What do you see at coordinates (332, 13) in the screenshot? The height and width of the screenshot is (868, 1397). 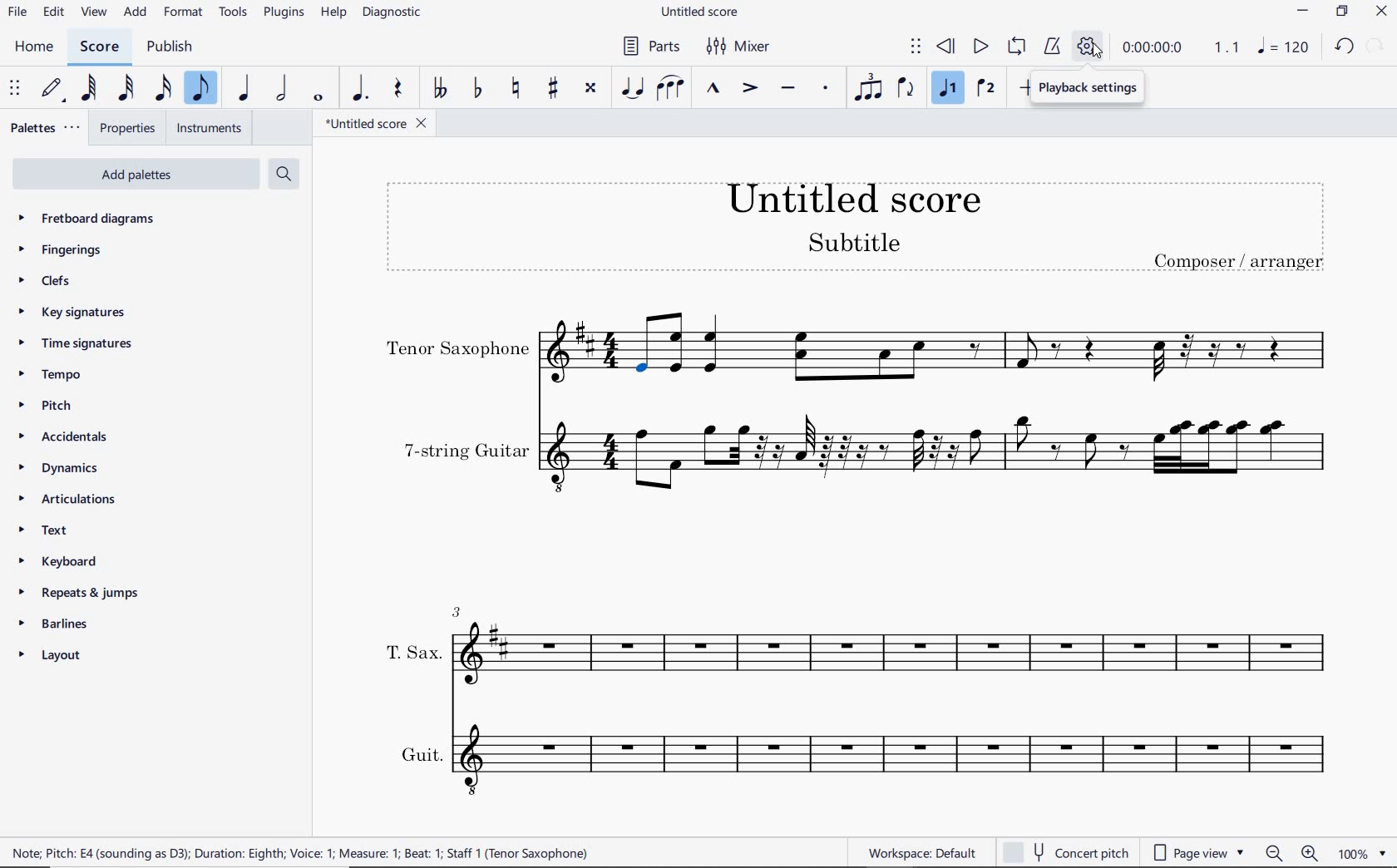 I see `HELP` at bounding box center [332, 13].